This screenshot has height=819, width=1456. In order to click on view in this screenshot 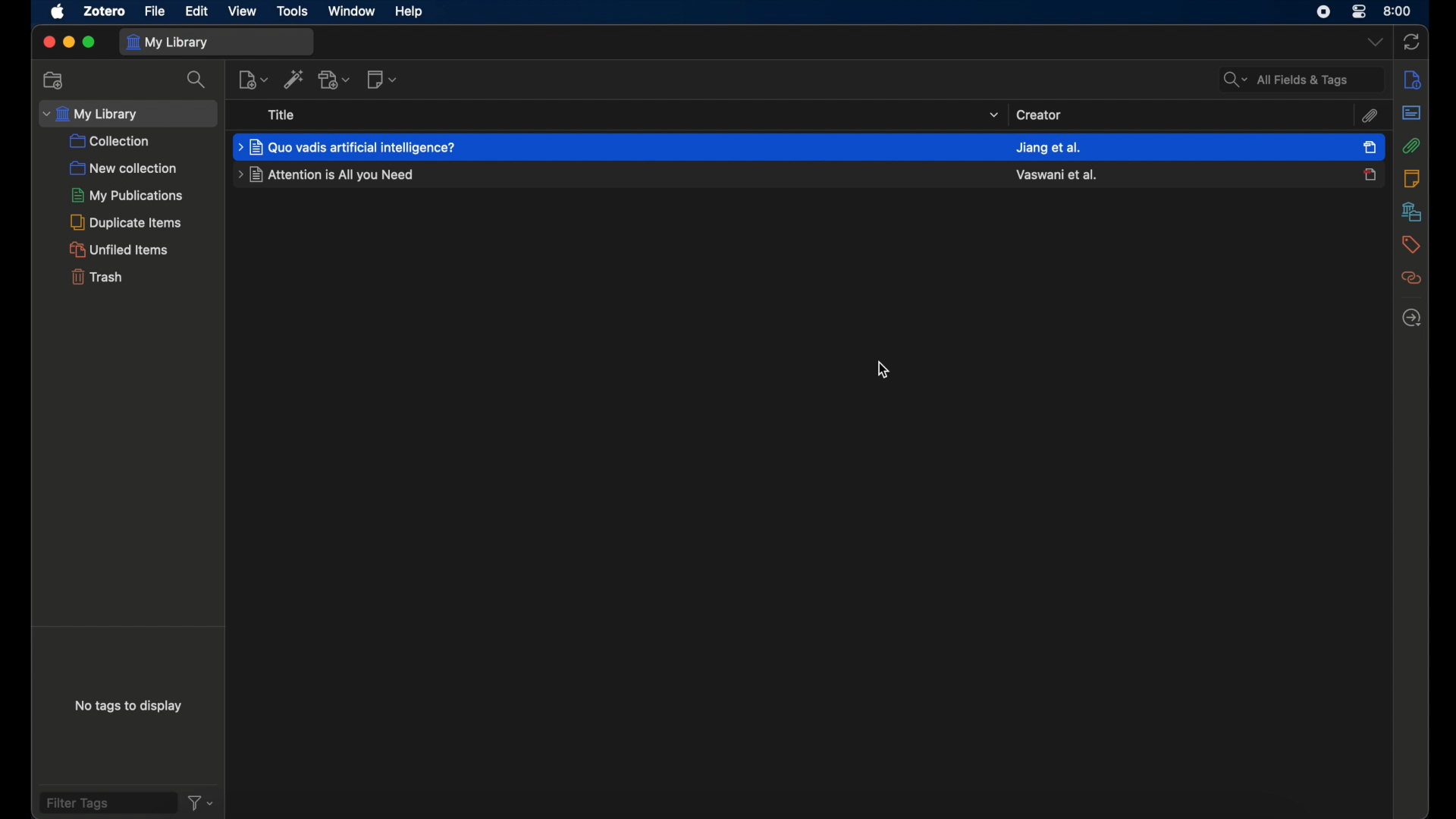, I will do `click(243, 11)`.